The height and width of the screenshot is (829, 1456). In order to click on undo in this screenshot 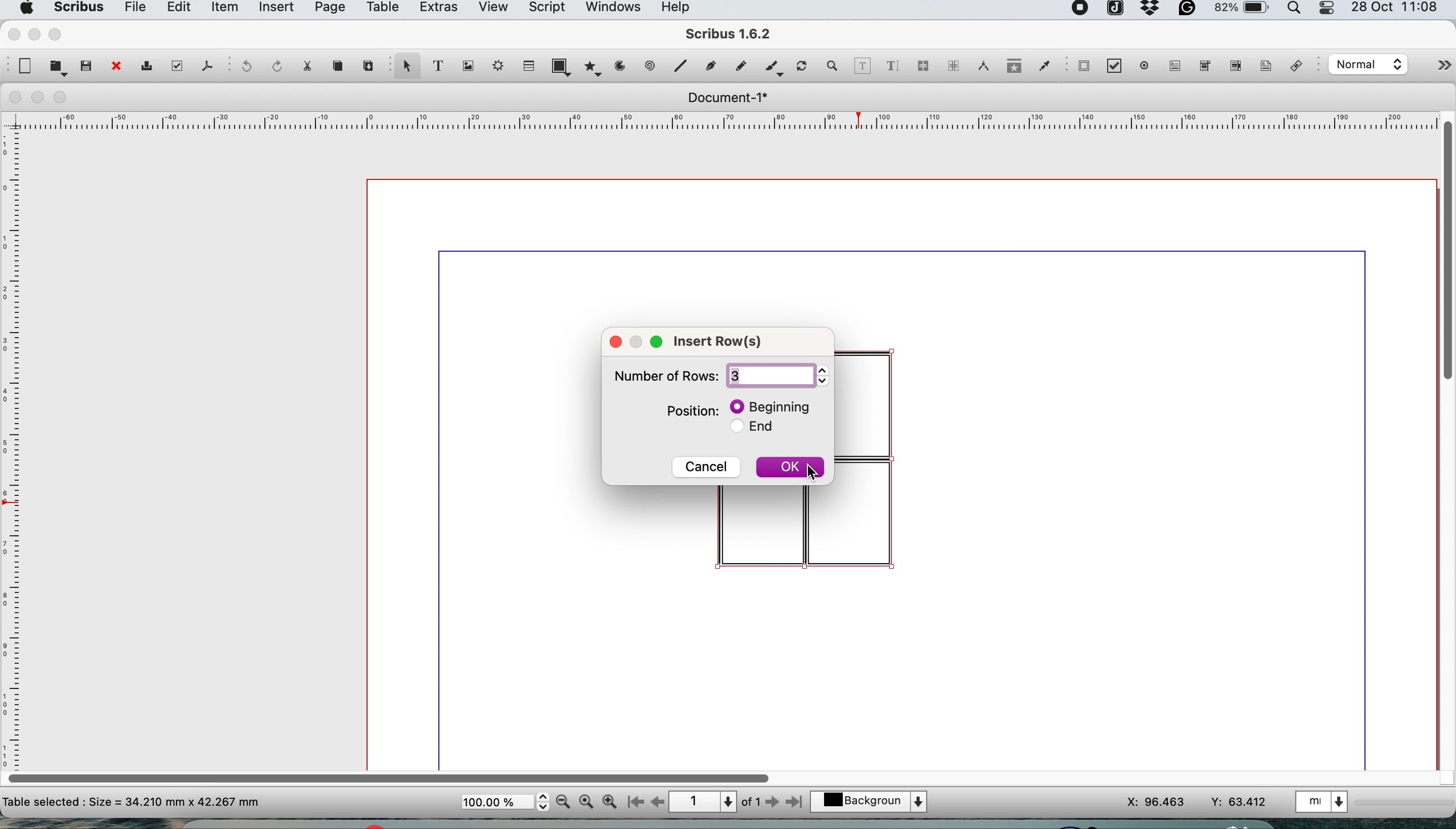, I will do `click(244, 67)`.